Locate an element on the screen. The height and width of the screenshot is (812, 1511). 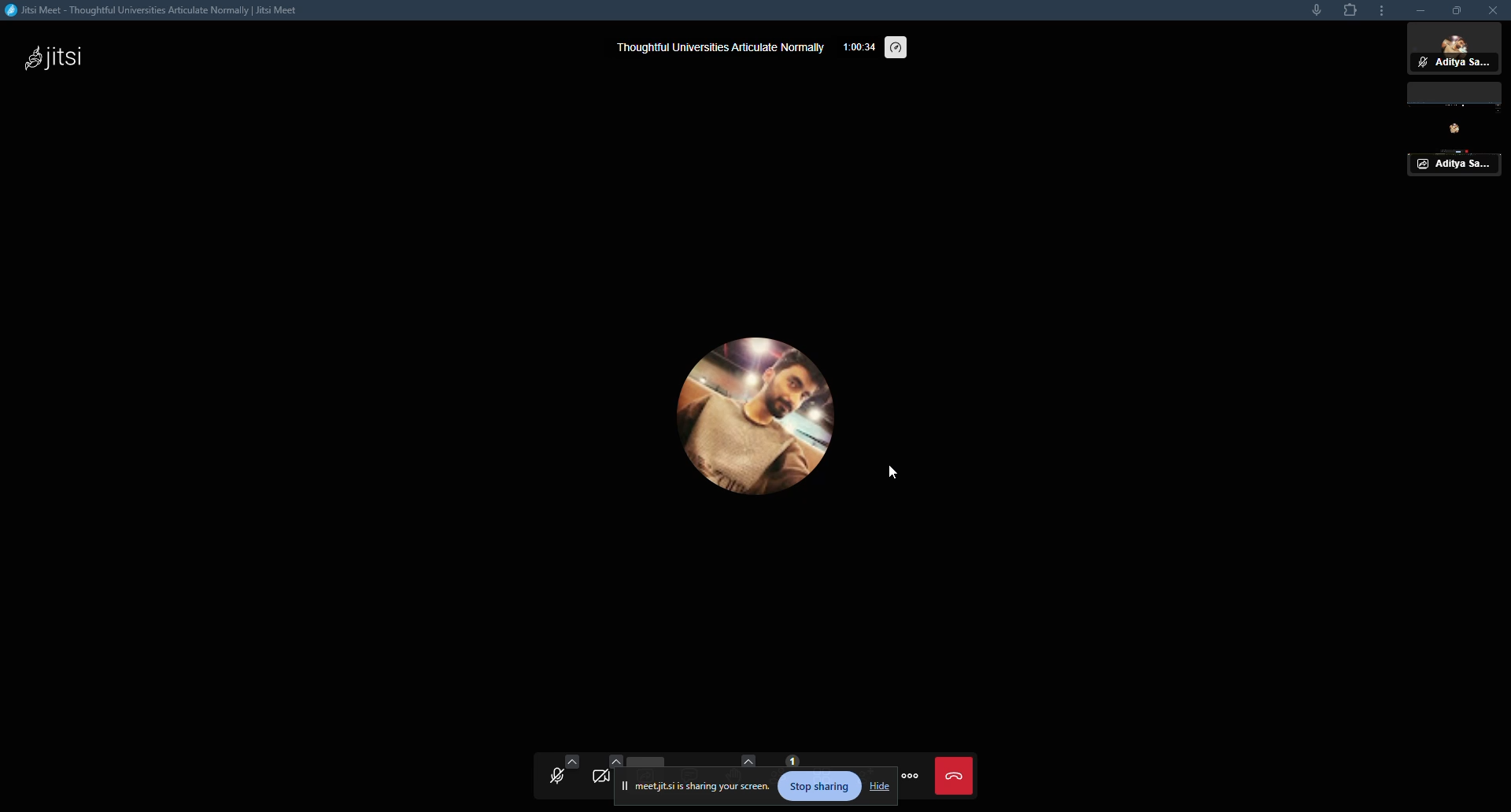
thoughtful universities articulate normally is located at coordinates (719, 46).